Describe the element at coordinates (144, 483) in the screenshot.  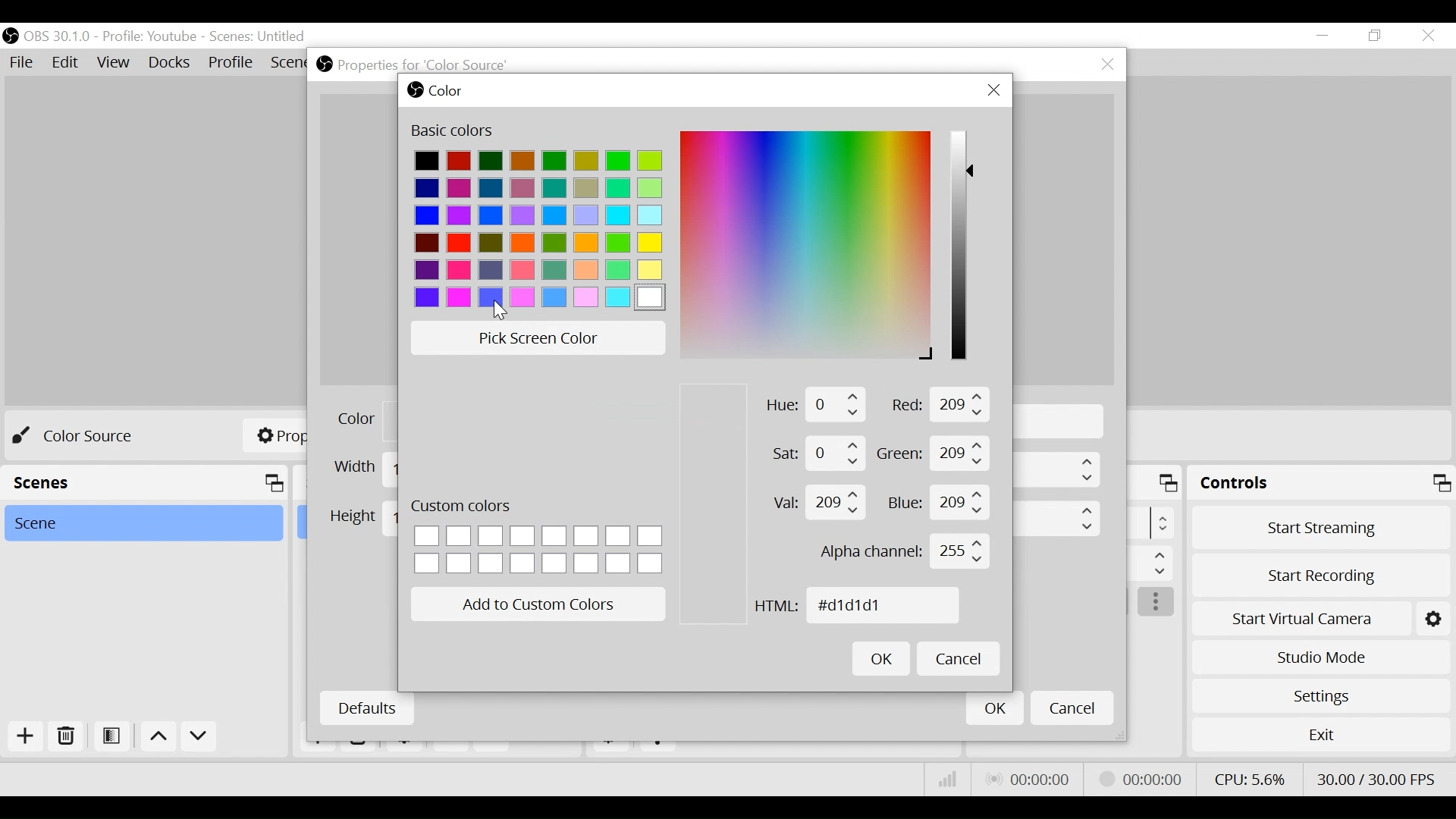
I see `Scenes` at that location.